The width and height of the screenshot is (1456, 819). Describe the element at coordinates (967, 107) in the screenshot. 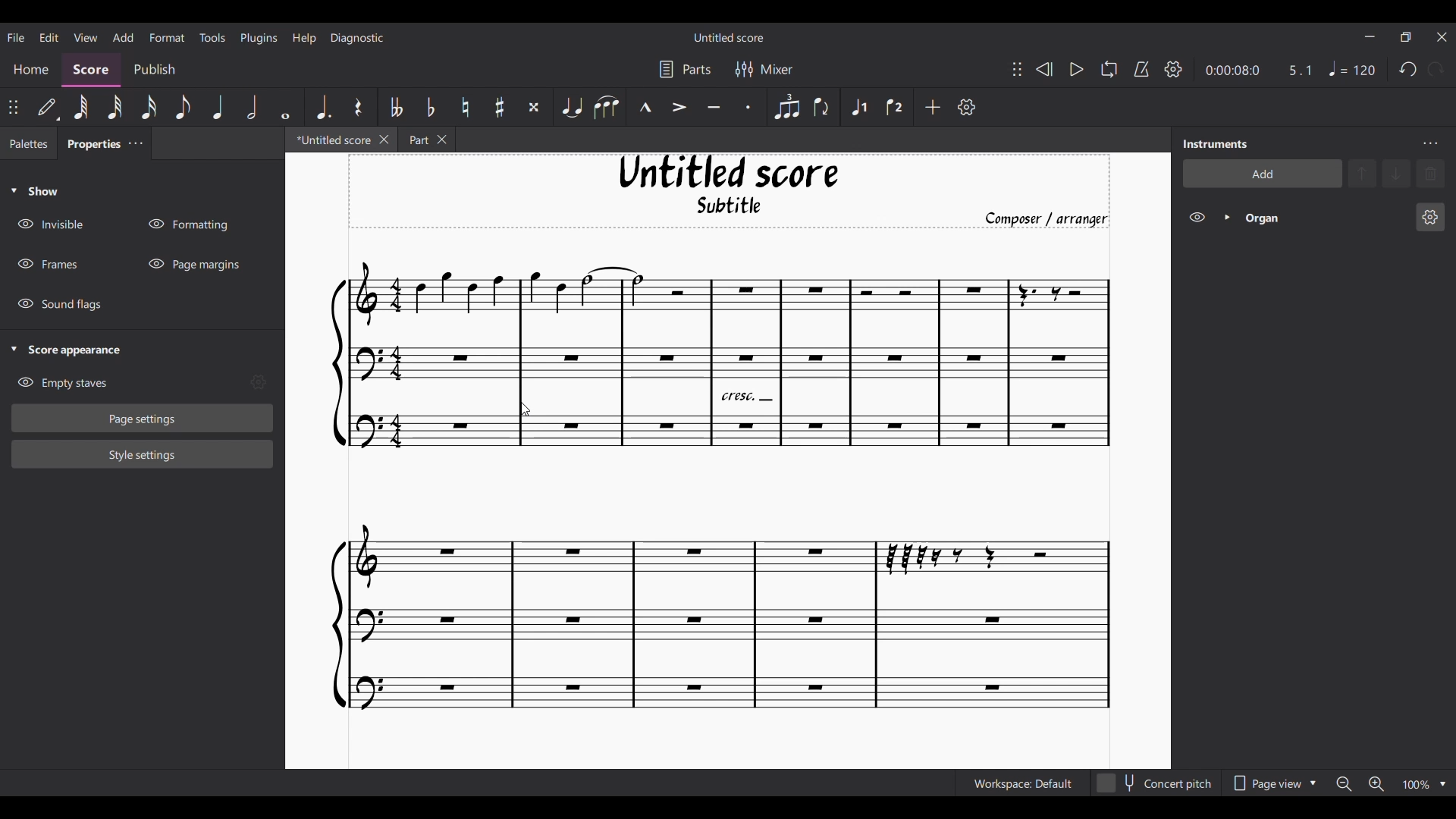

I see `Customize toolbar` at that location.